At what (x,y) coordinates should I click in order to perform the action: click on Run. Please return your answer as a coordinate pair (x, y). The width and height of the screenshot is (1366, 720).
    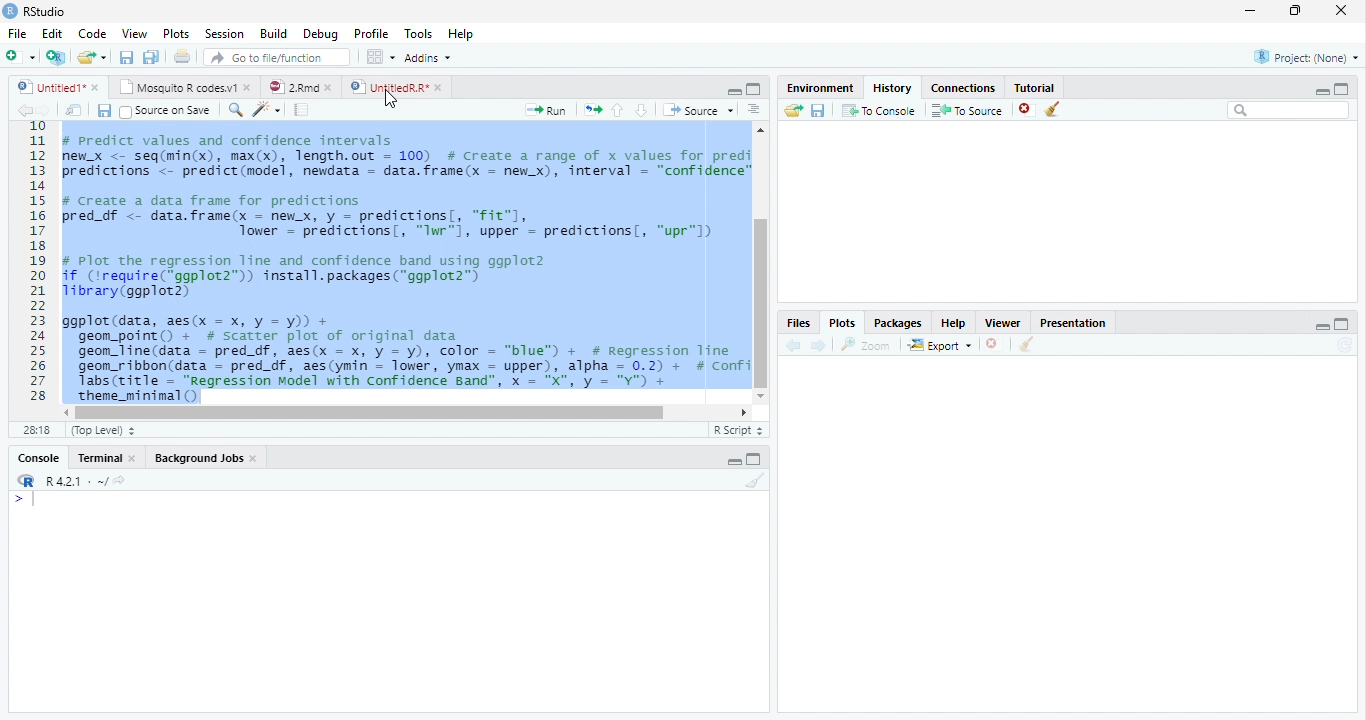
    Looking at the image, I should click on (544, 111).